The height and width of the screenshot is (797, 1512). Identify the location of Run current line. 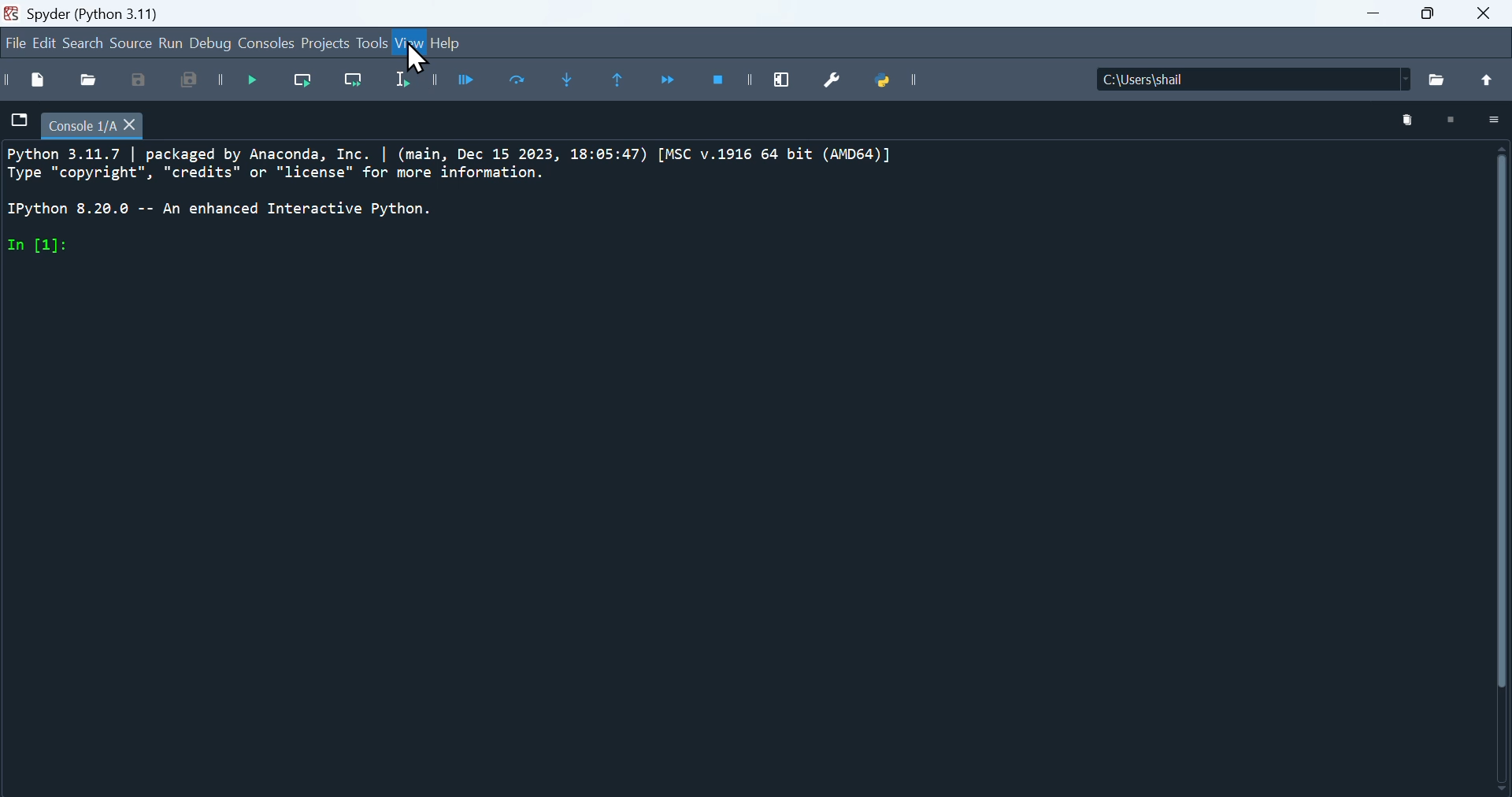
(310, 85).